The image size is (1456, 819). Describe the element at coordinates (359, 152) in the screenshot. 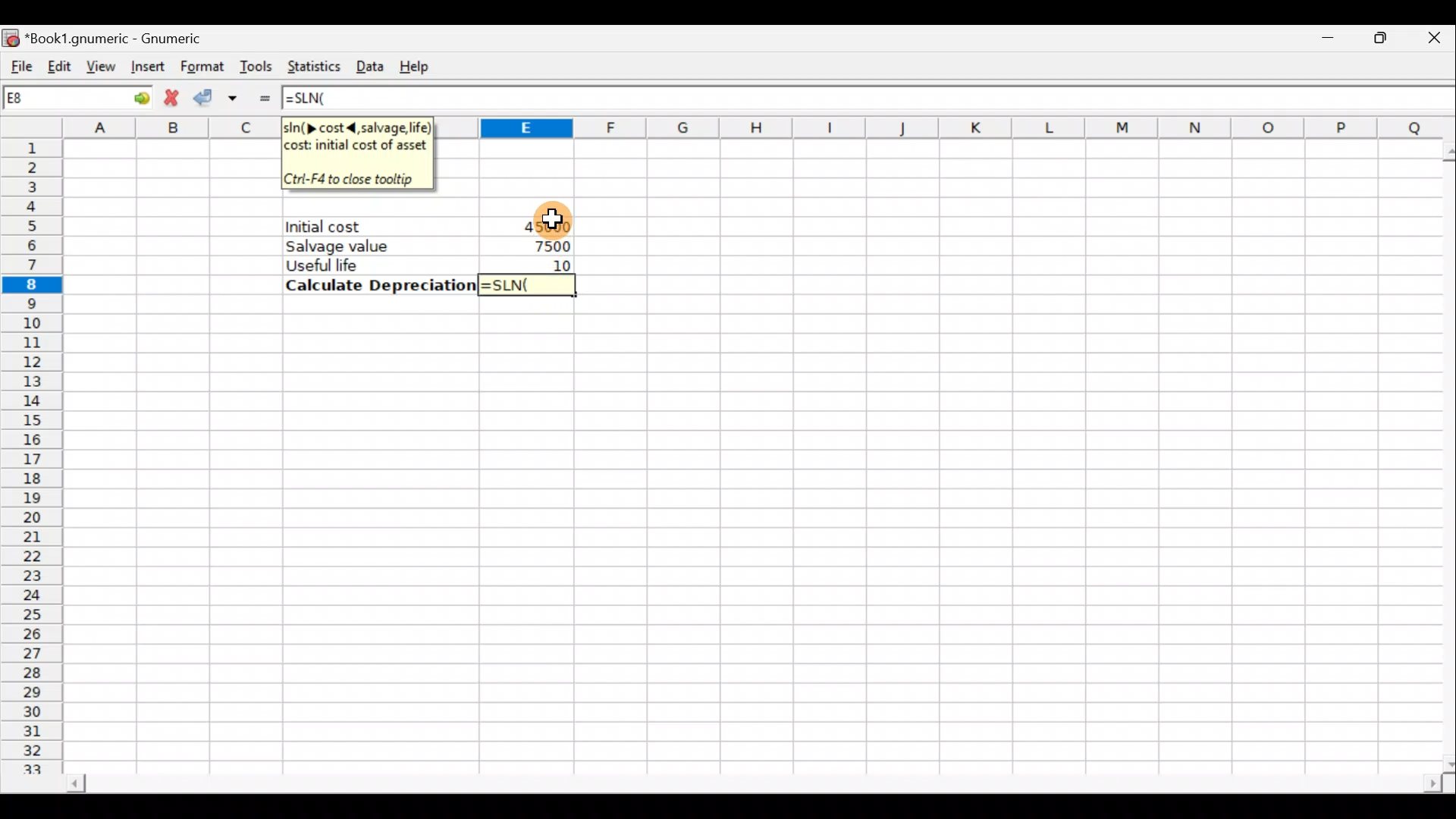

I see `sln(>cost<,salvage, life)cost: initial cost of asset. Ctrl+F4 to close tooltip` at that location.